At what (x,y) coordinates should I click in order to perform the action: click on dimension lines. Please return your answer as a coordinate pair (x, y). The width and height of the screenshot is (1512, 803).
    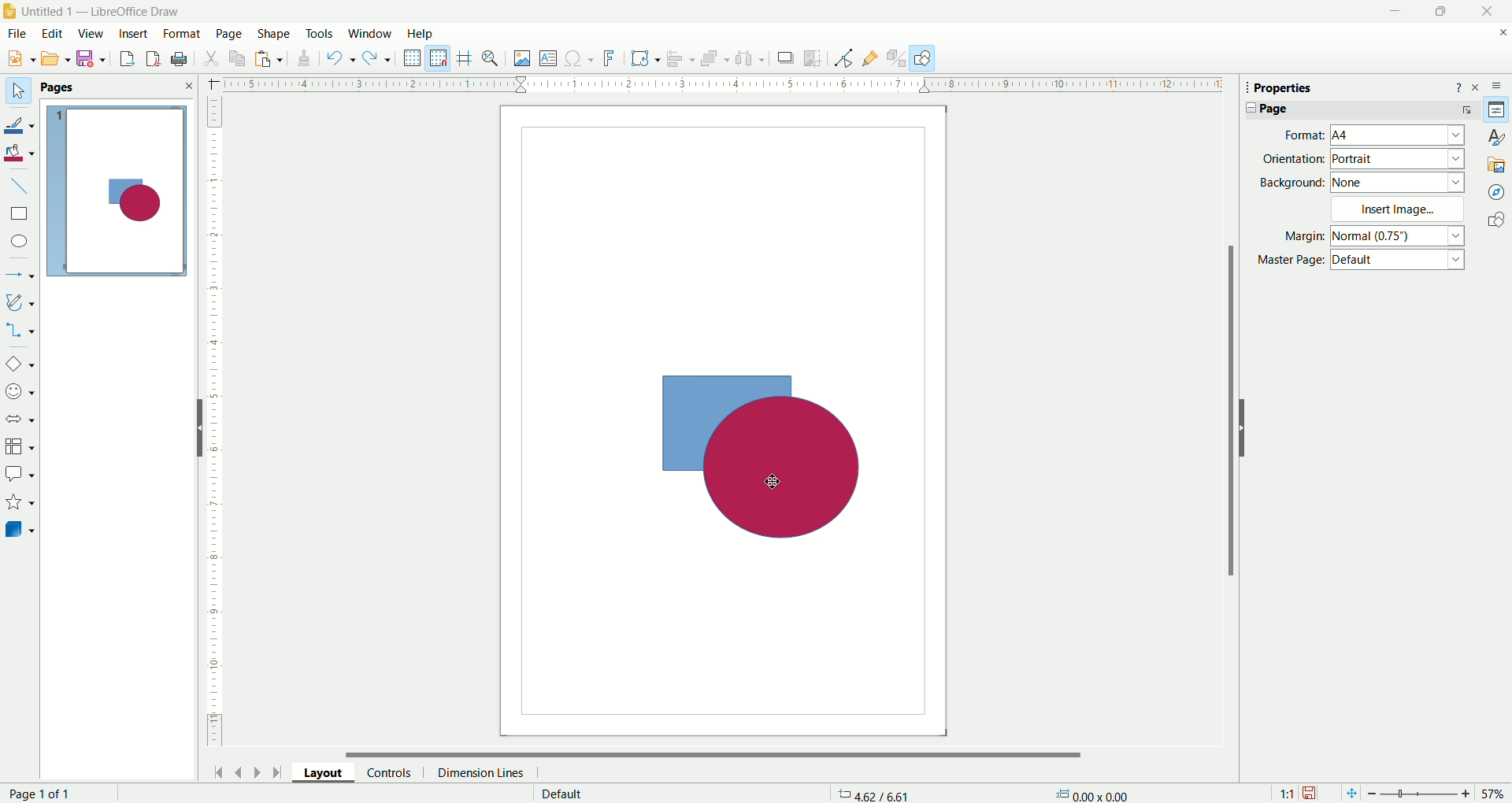
    Looking at the image, I should click on (484, 772).